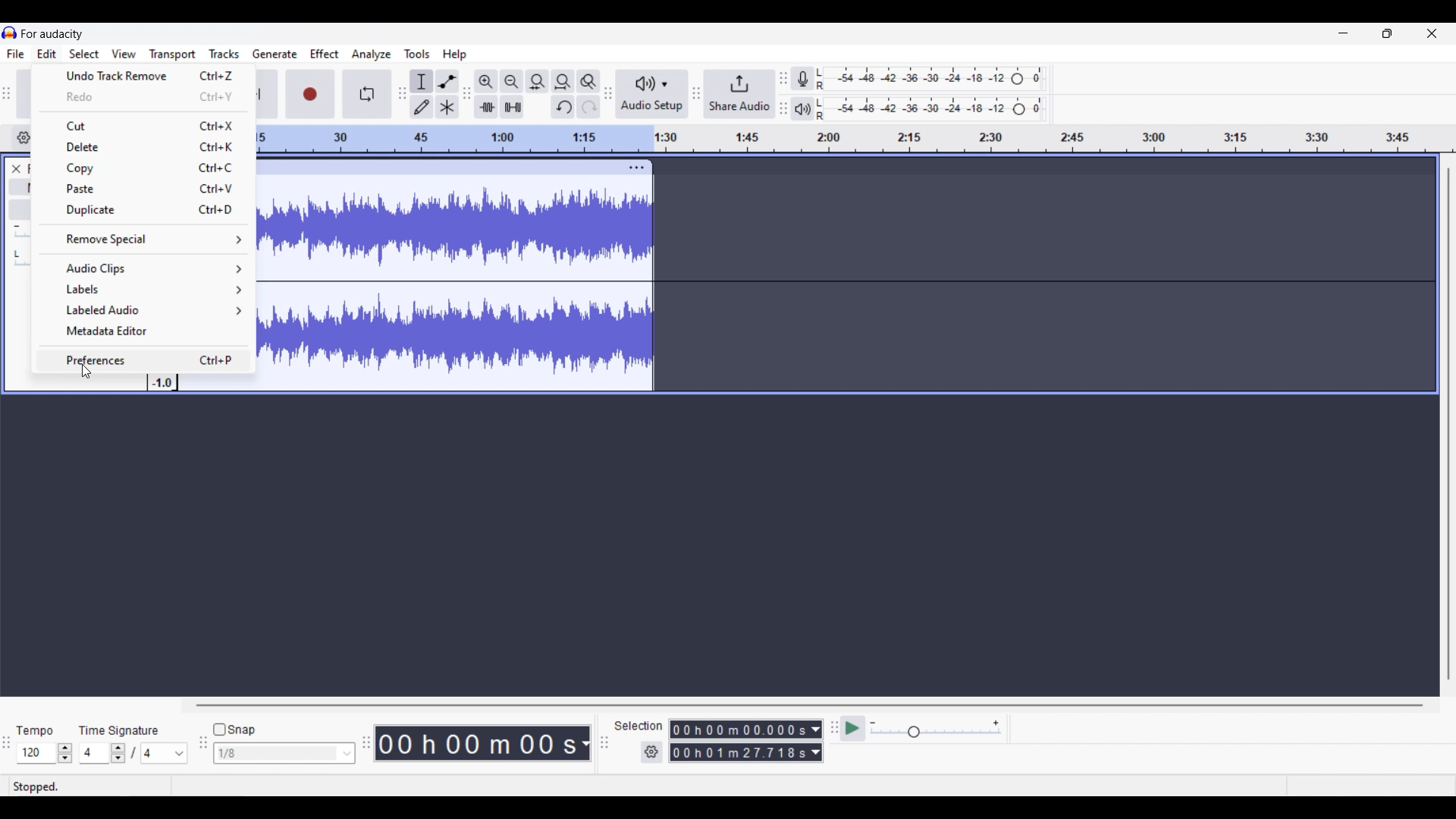 The image size is (1456, 819). I want to click on Recording level, so click(930, 79).